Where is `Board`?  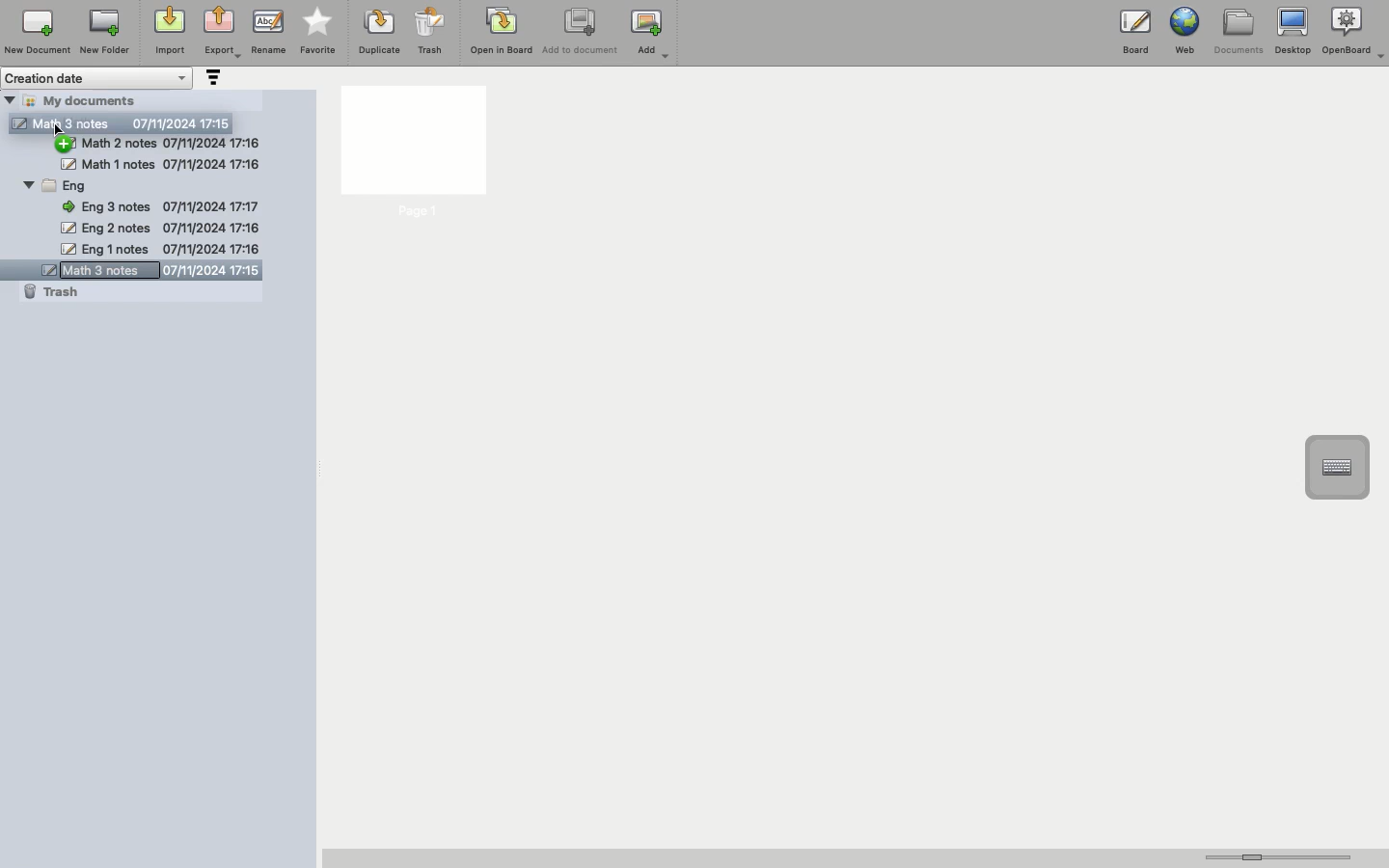 Board is located at coordinates (1135, 36).